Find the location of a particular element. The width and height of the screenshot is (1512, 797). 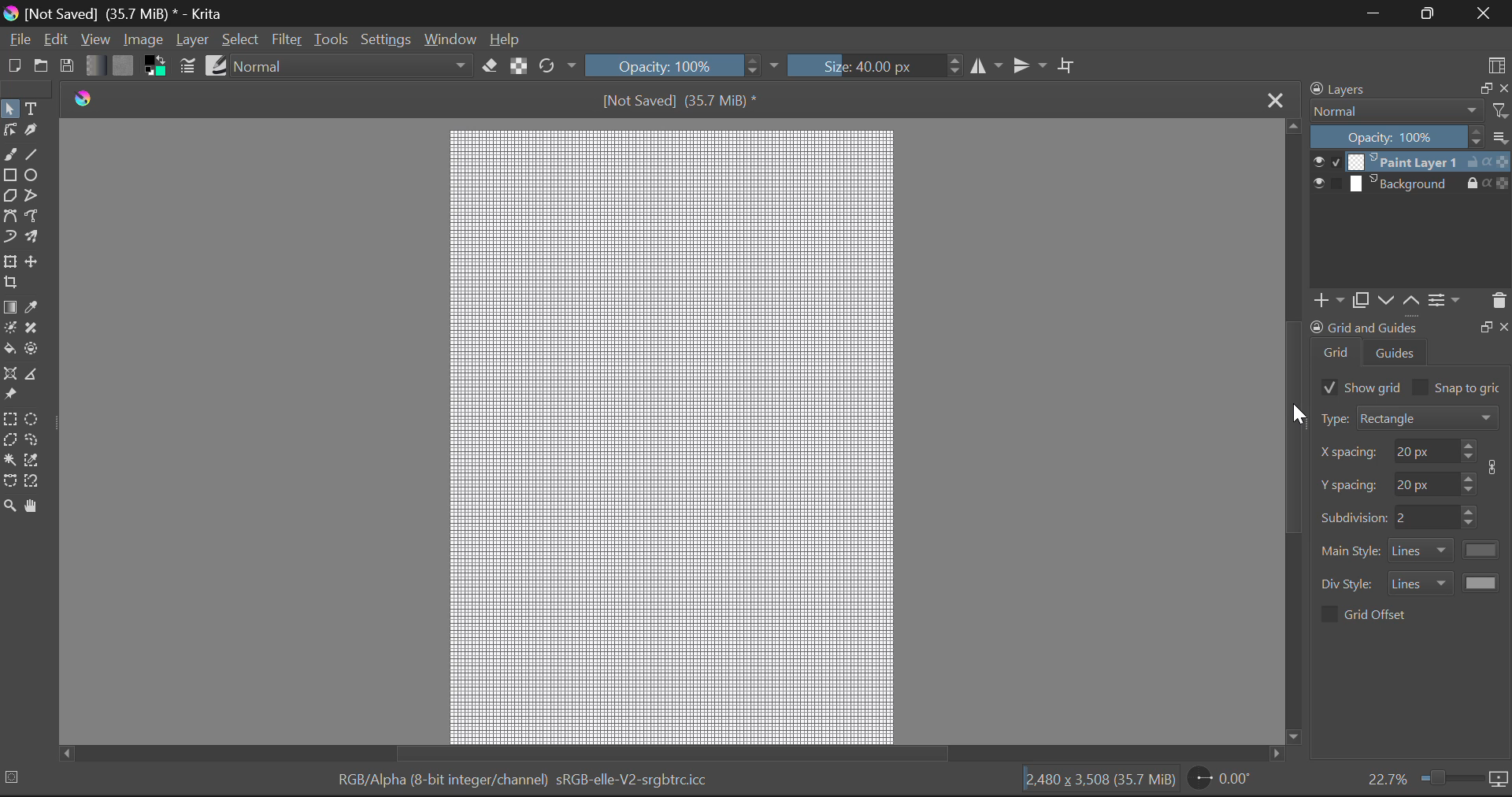

Freehand is located at coordinates (9, 155).